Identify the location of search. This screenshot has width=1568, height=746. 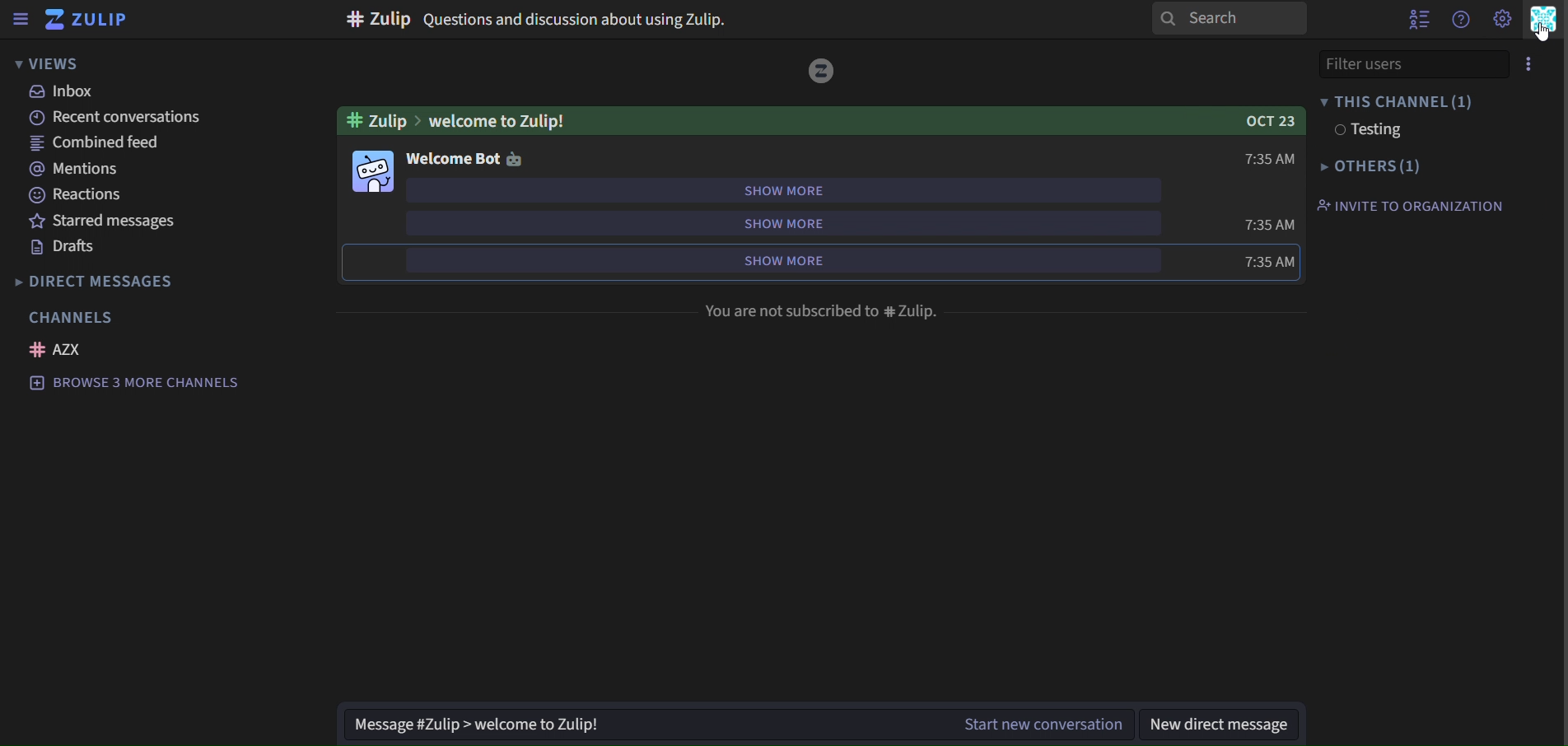
(1232, 21).